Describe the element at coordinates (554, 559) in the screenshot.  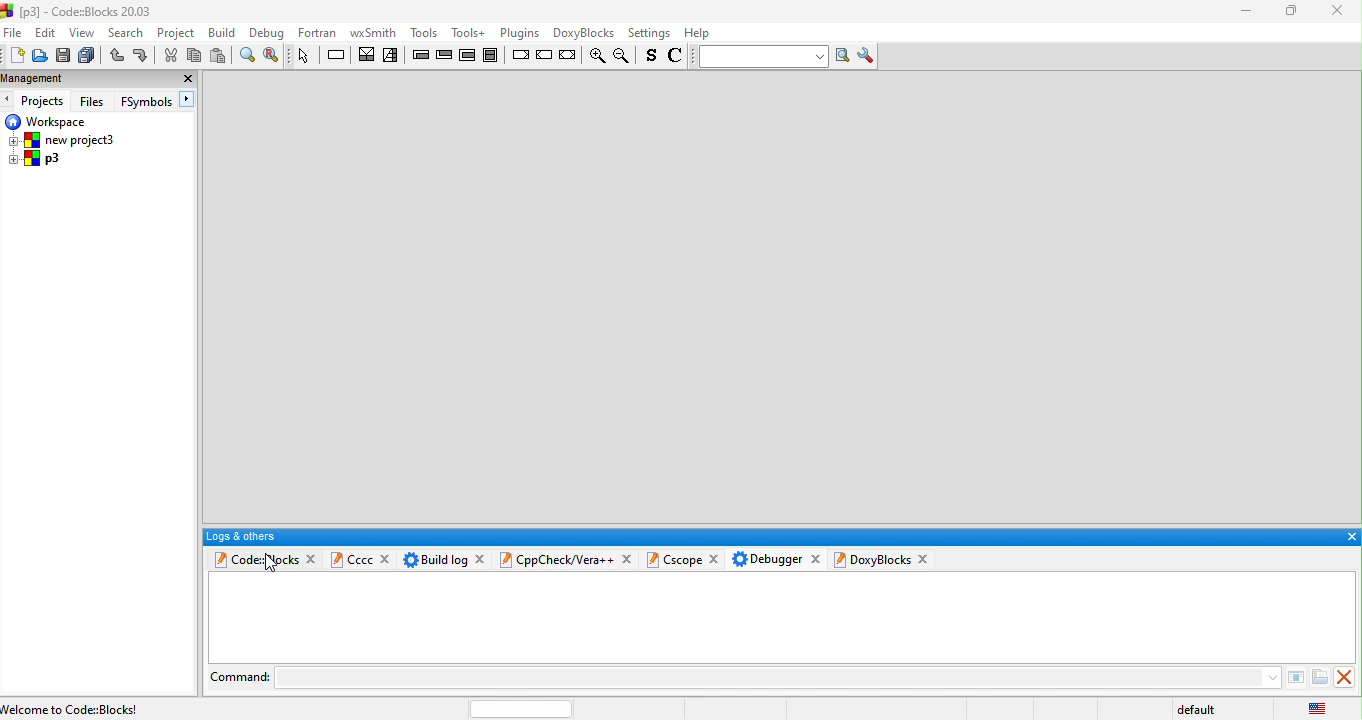
I see `copycheck/vera++` at that location.